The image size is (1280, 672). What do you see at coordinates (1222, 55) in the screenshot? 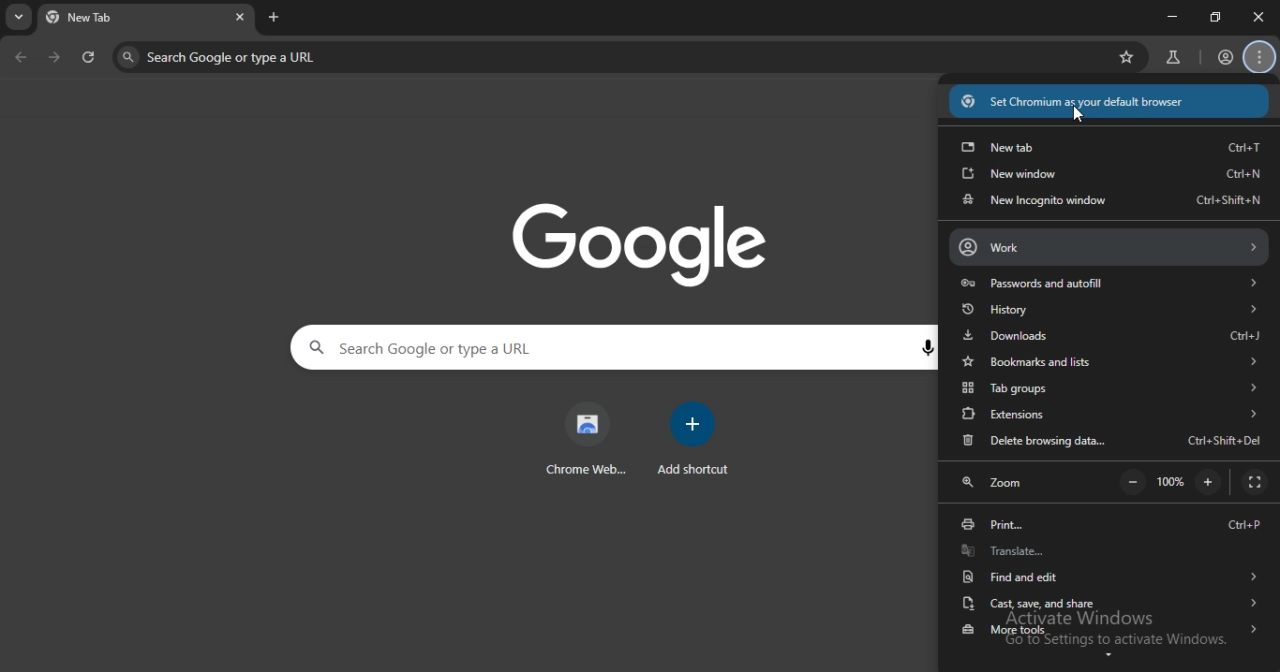
I see `account` at bounding box center [1222, 55].